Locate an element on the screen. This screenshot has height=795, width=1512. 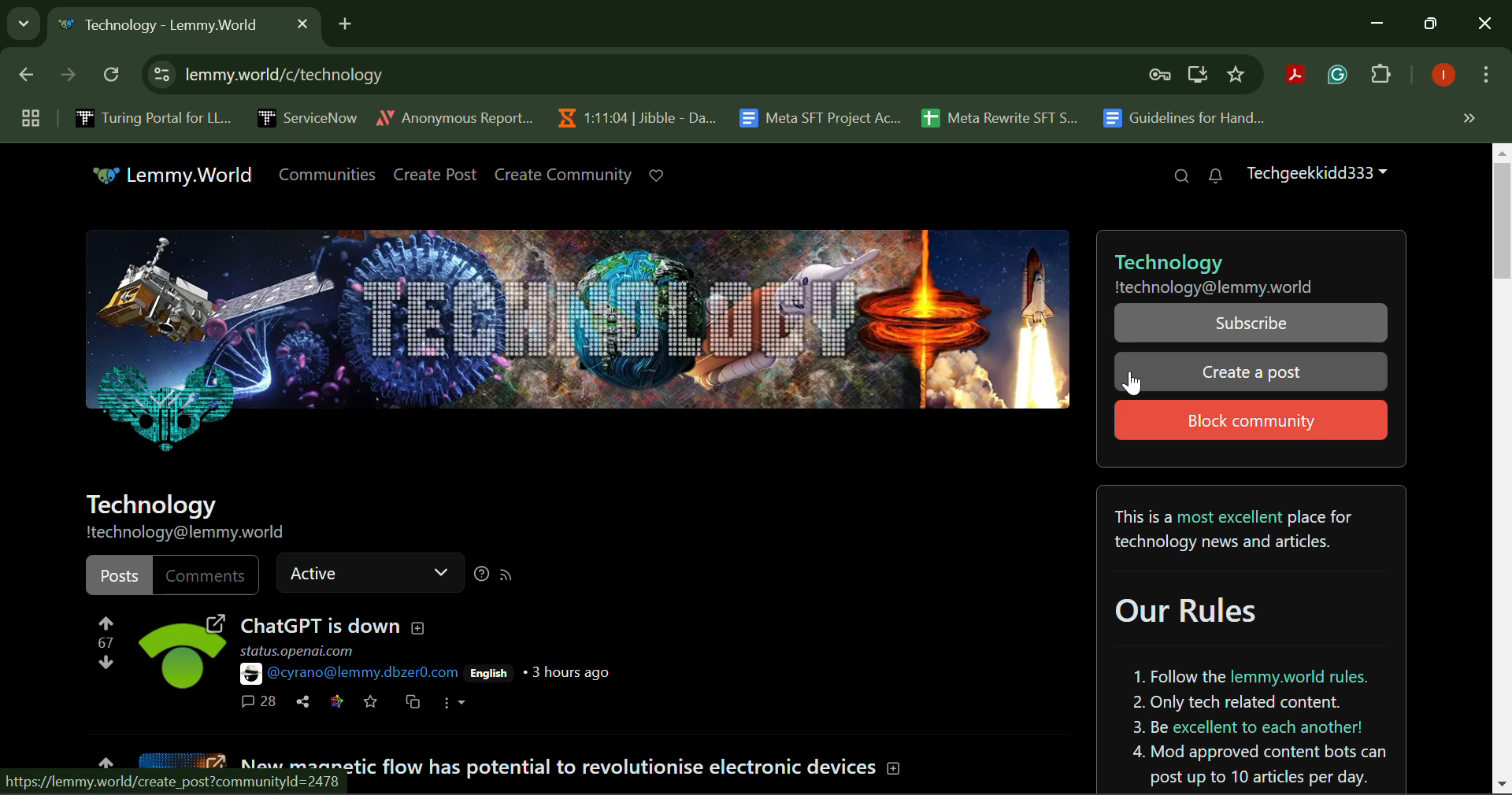
Browser Extension is located at coordinates (1299, 76).